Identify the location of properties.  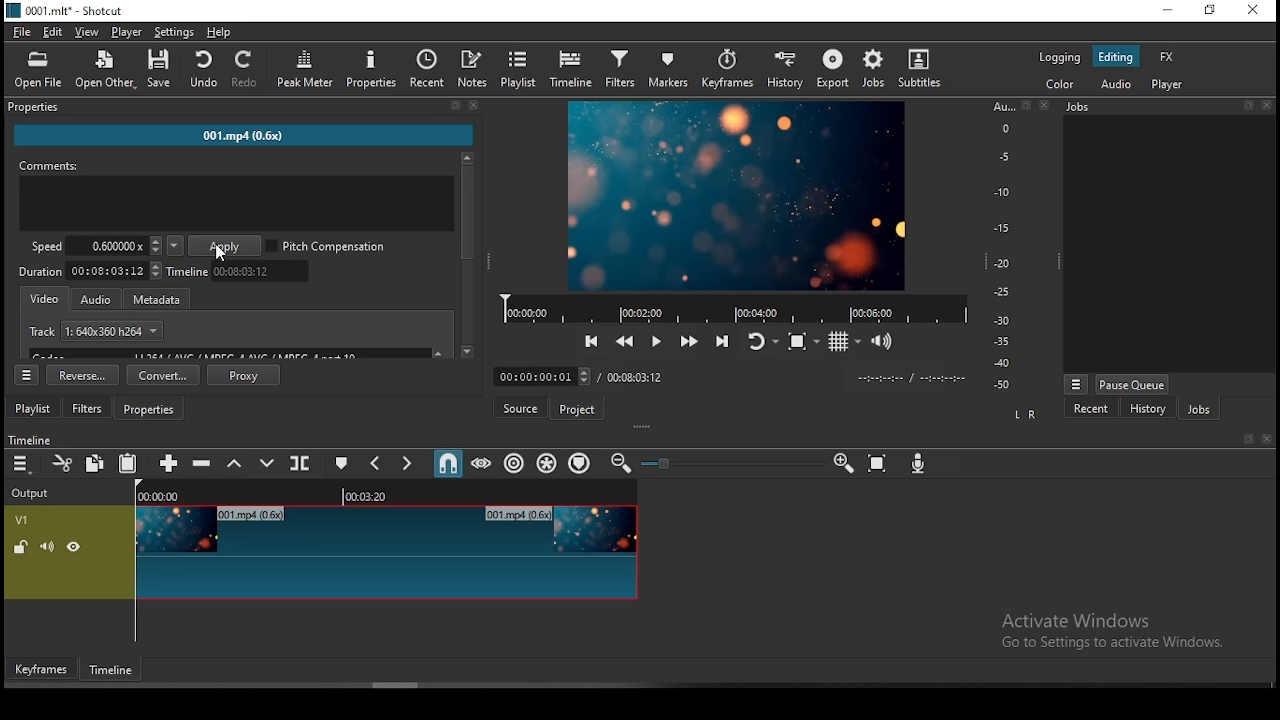
(247, 109).